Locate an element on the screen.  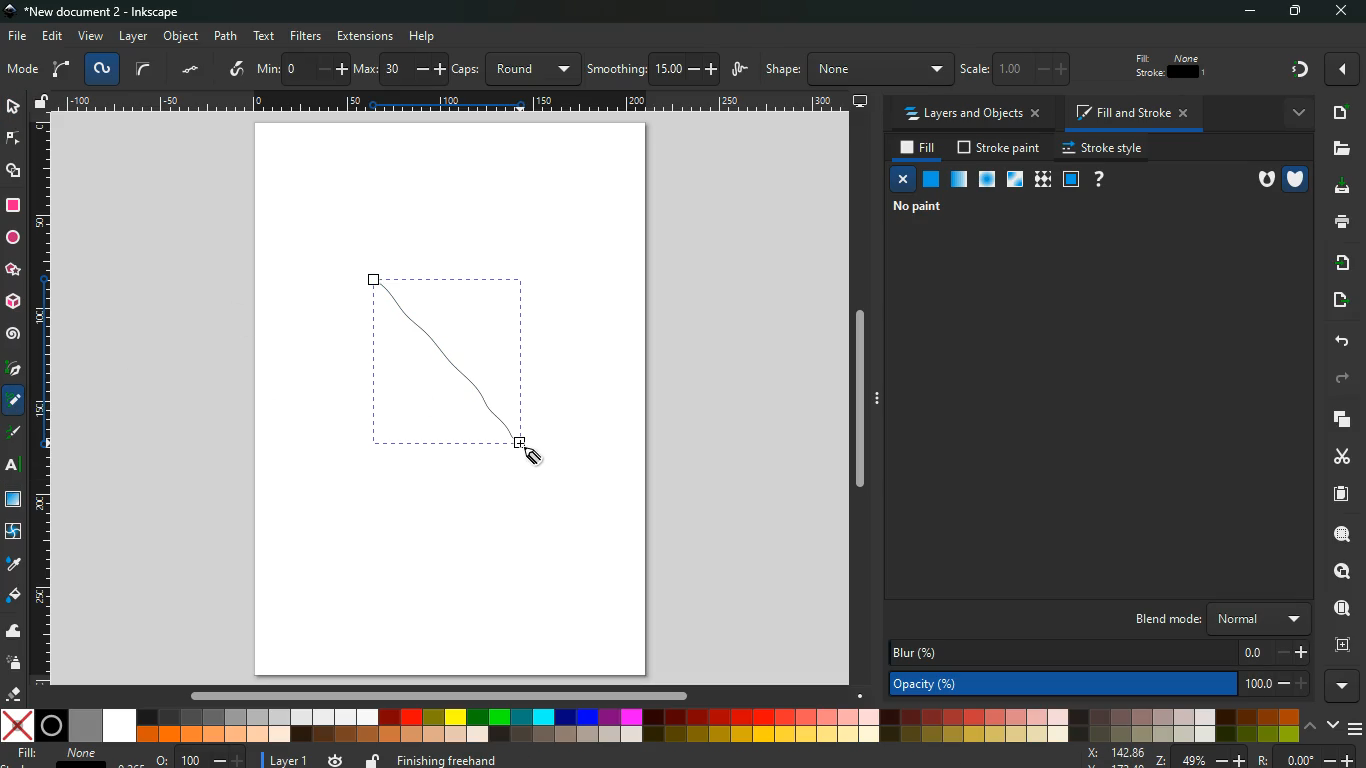
send is located at coordinates (1342, 296).